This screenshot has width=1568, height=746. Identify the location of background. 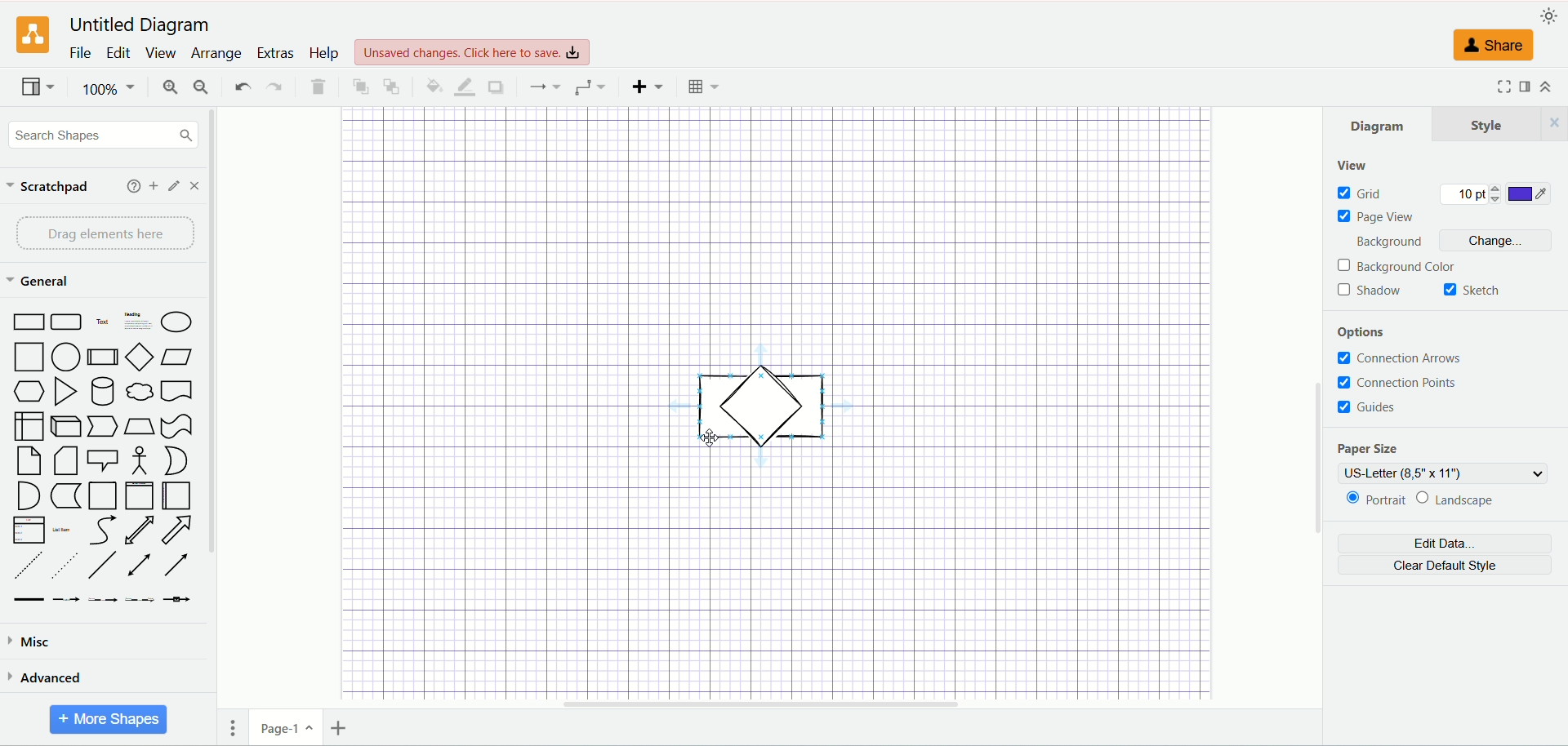
(1398, 265).